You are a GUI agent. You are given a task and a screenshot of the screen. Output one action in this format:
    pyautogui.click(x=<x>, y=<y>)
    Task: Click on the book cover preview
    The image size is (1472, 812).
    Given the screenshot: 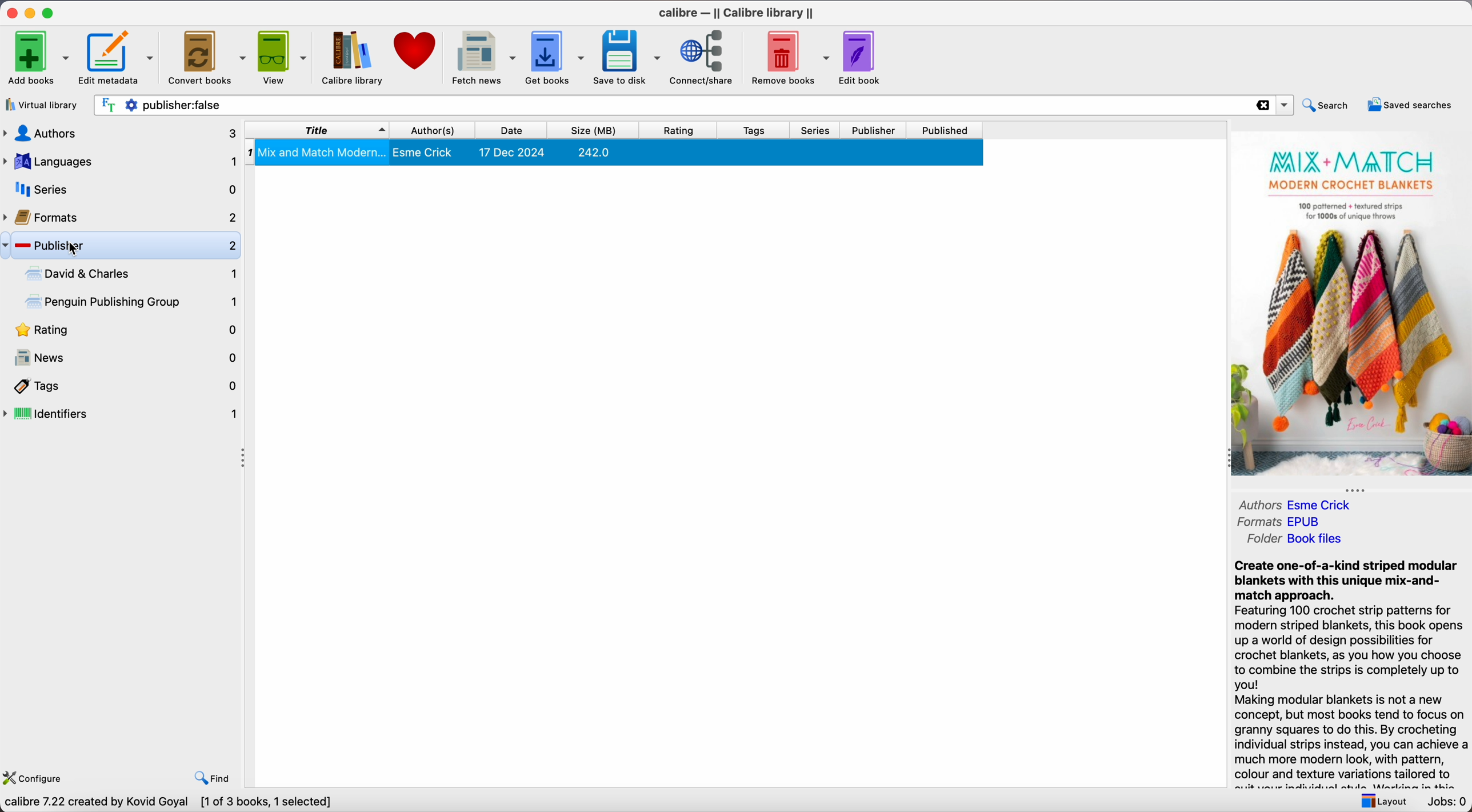 What is the action you would take?
    pyautogui.click(x=1351, y=305)
    